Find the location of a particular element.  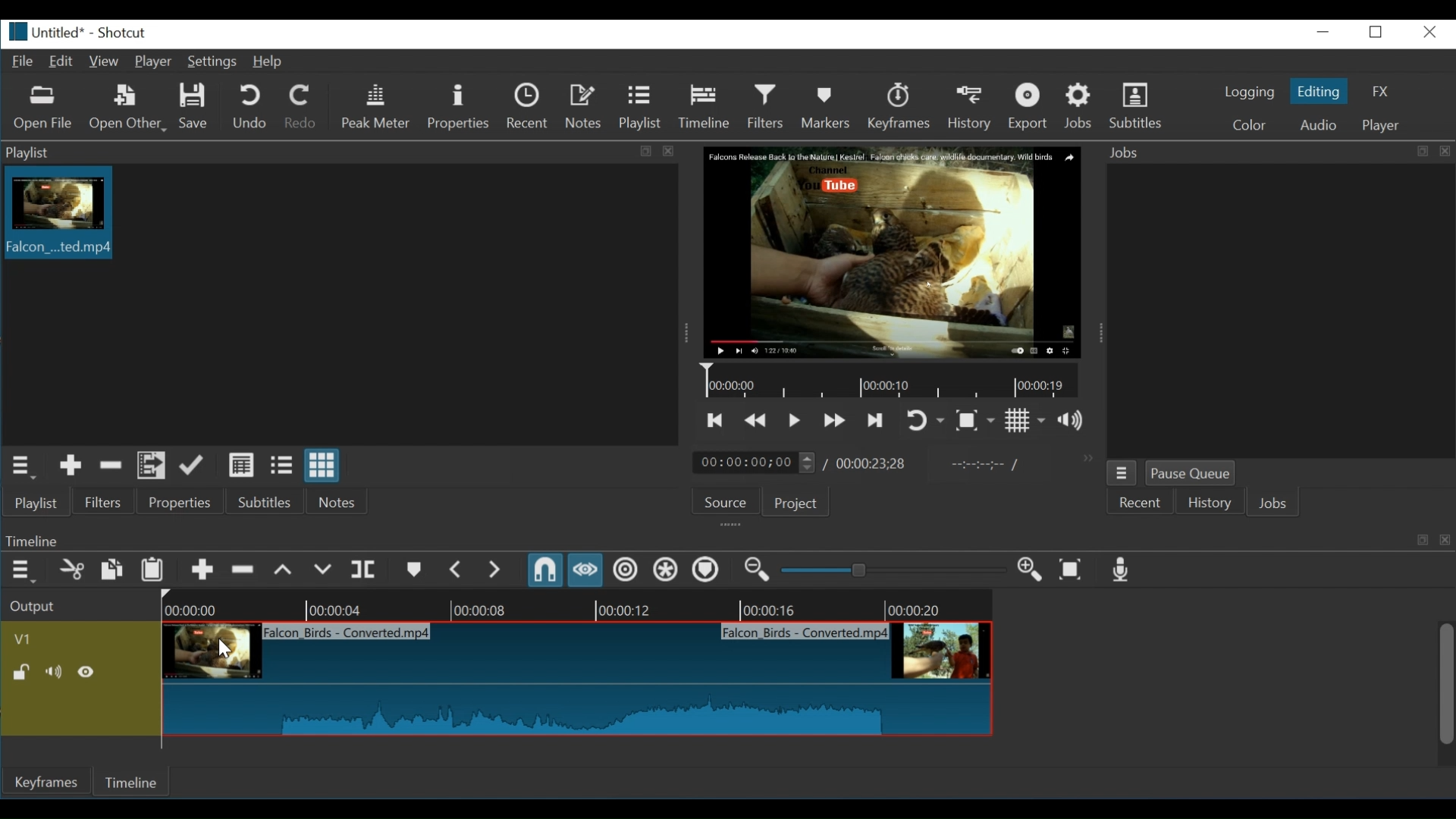

(un)locked is located at coordinates (17, 672).